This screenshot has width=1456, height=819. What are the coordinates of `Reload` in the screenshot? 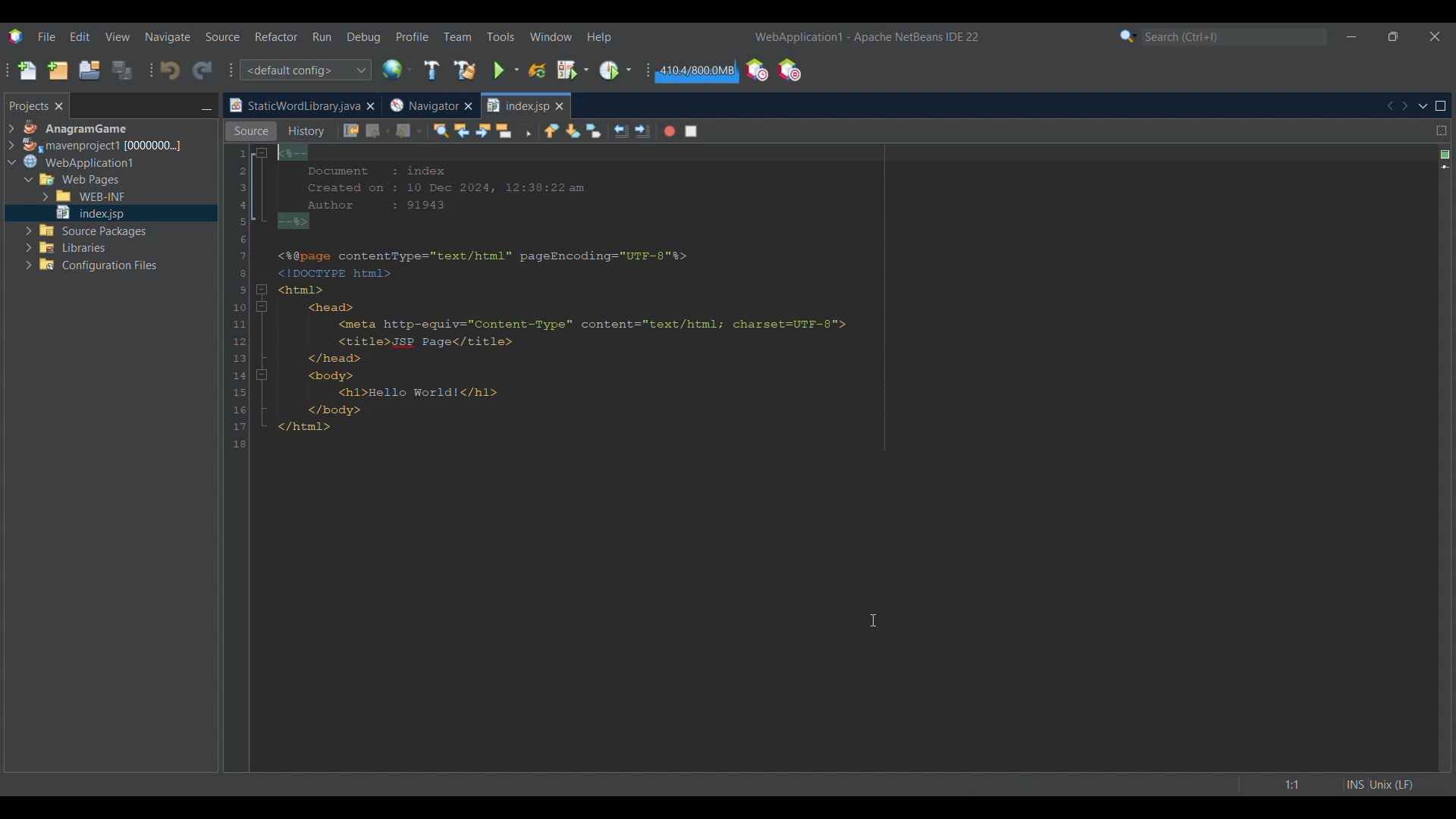 It's located at (537, 71).